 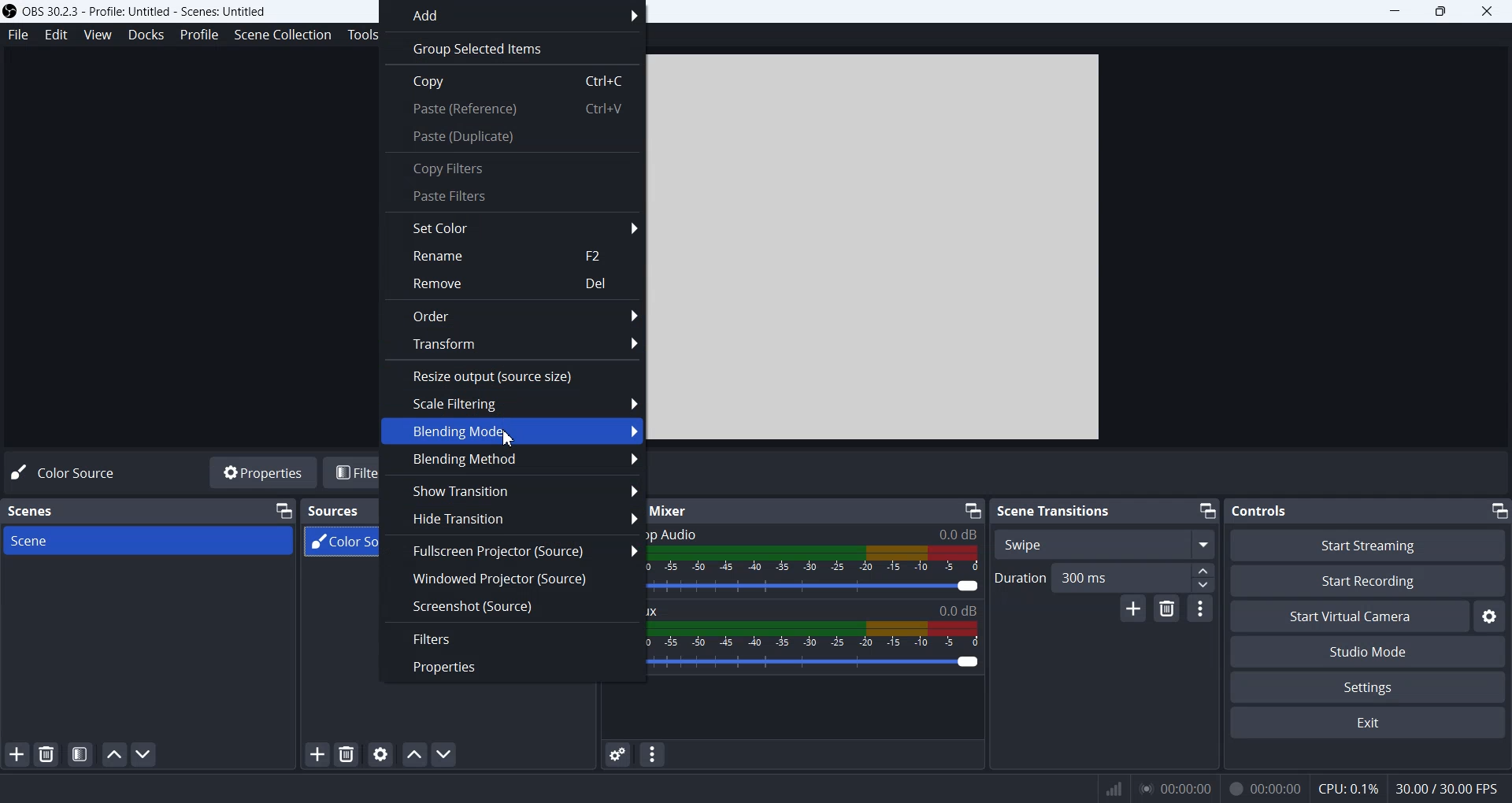 I want to click on Swipe, so click(x=1104, y=543).